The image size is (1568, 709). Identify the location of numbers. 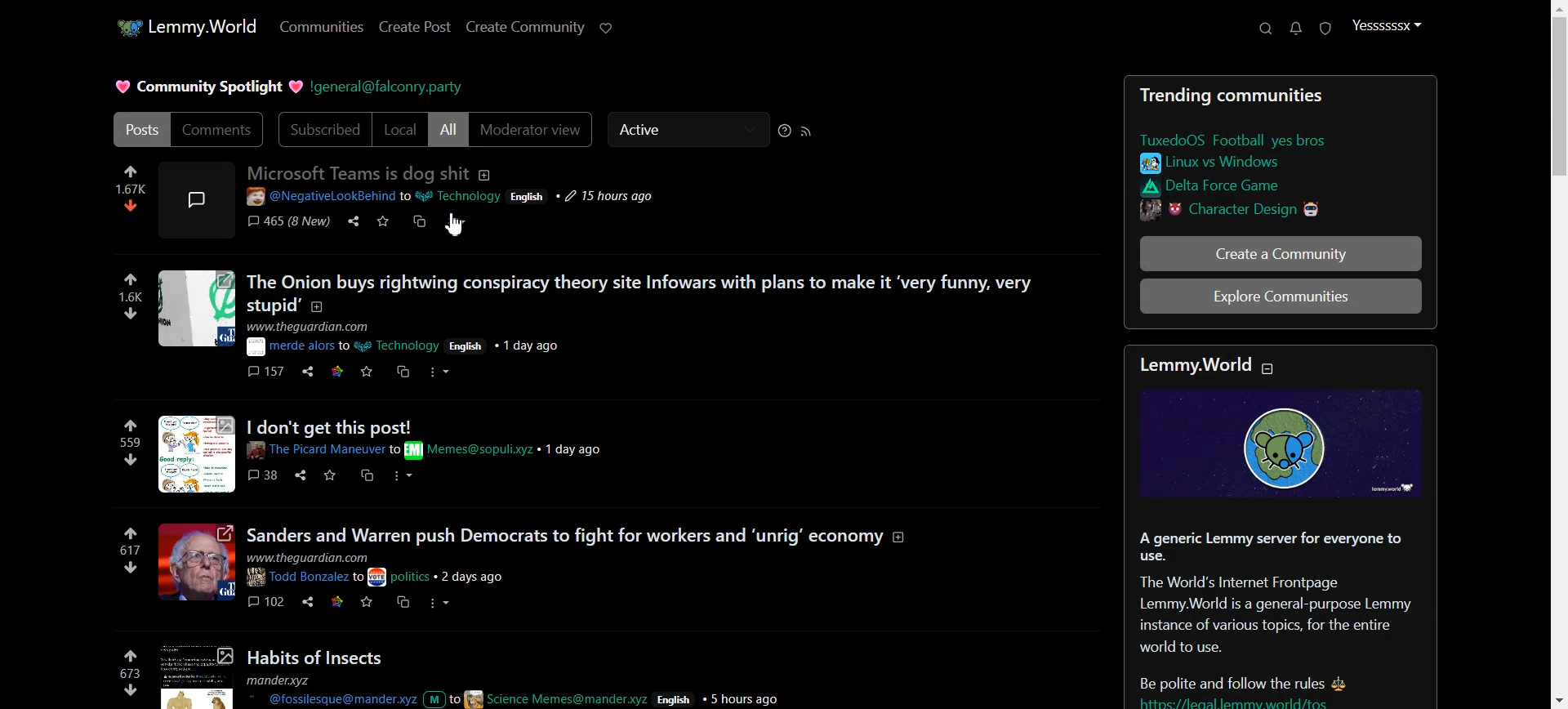
(131, 442).